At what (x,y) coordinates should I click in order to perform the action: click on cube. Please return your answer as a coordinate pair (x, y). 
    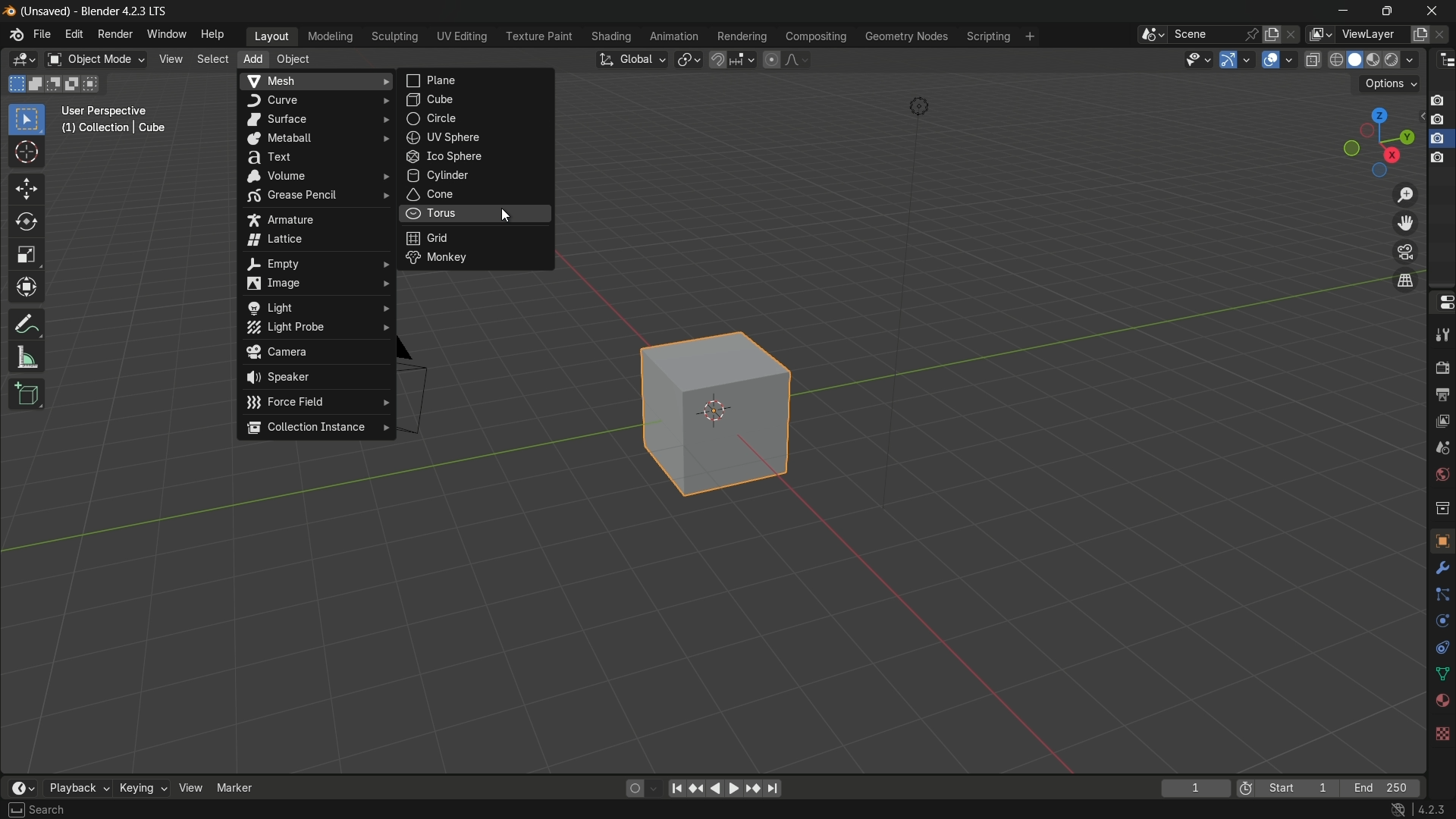
    Looking at the image, I should click on (720, 409).